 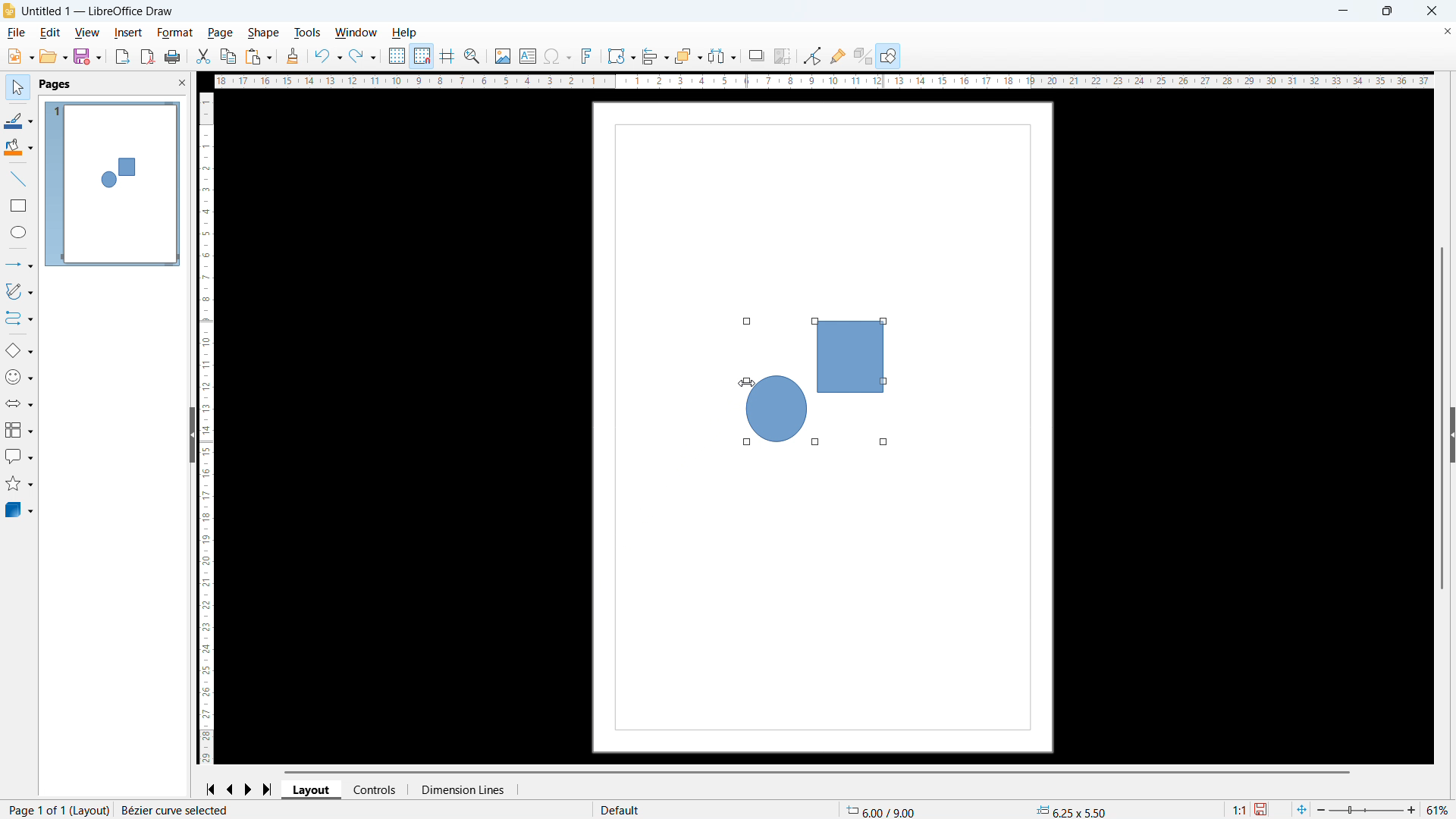 What do you see at coordinates (121, 58) in the screenshot?
I see `Export ` at bounding box center [121, 58].